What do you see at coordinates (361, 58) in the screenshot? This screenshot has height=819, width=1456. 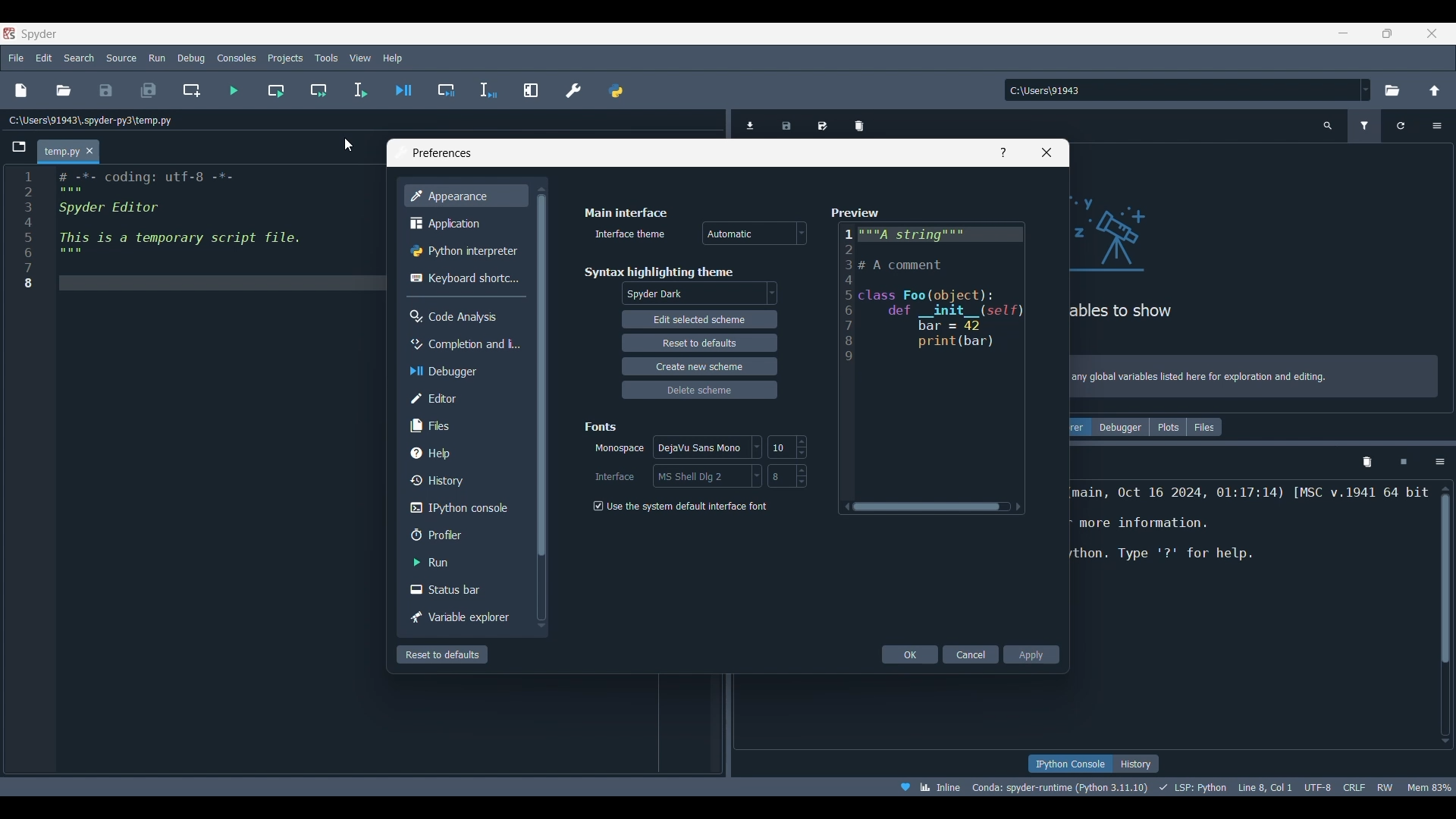 I see `View menu` at bounding box center [361, 58].